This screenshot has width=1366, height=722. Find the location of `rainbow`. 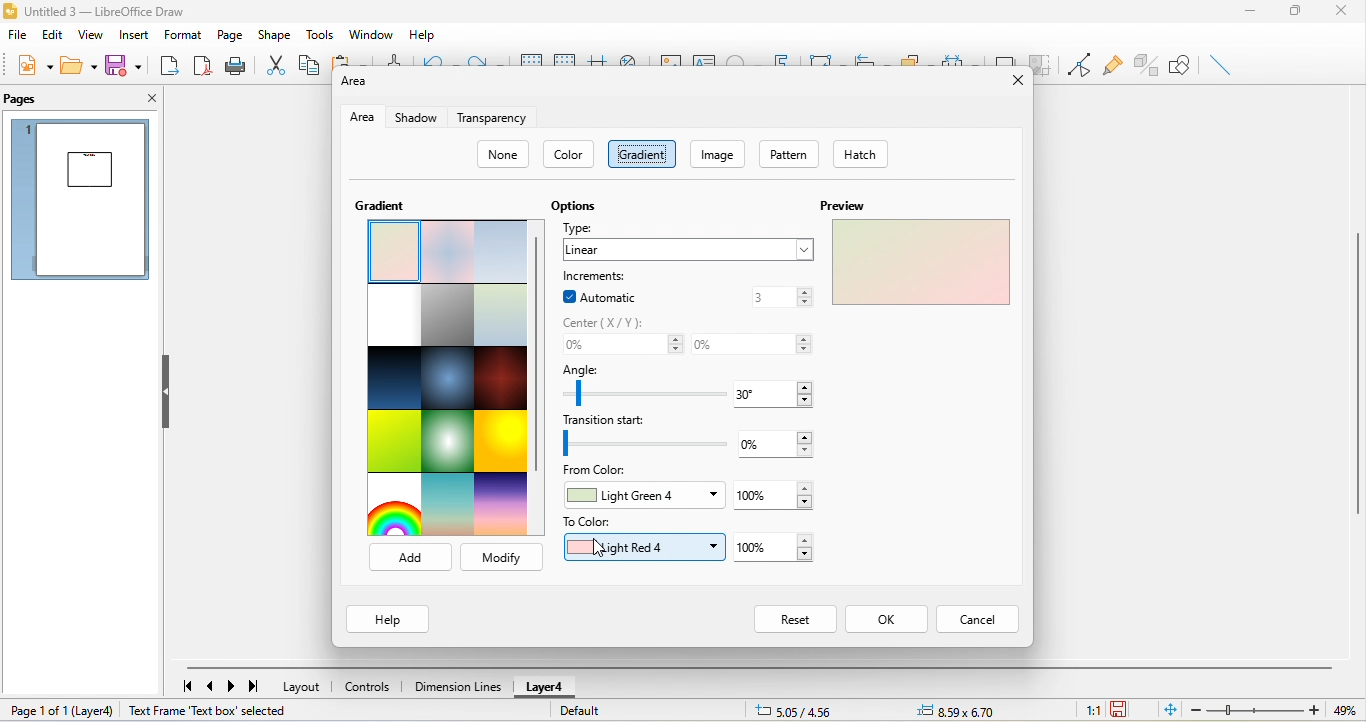

rainbow is located at coordinates (393, 505).